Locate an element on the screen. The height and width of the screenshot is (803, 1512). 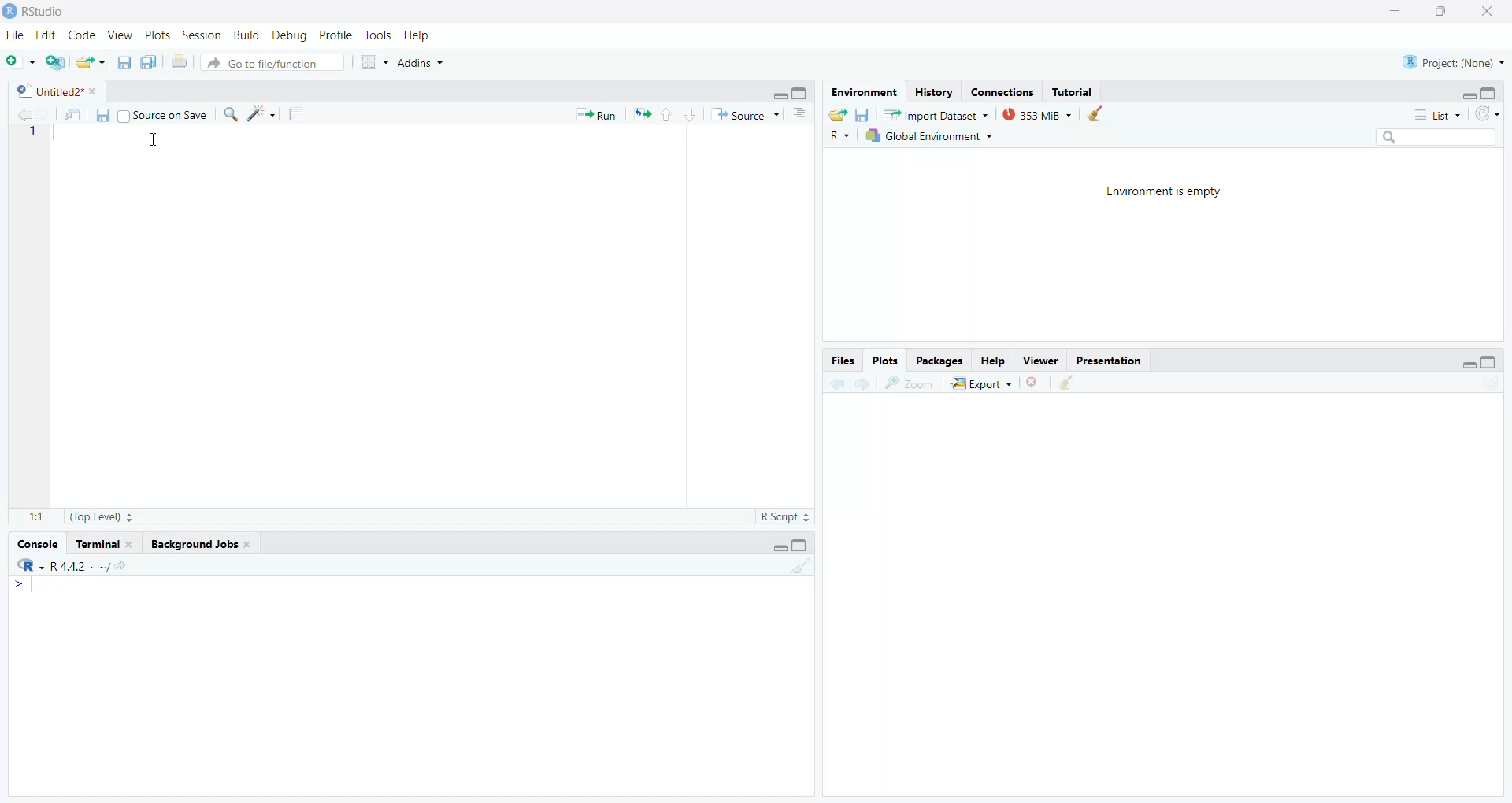
Source  is located at coordinates (744, 114).